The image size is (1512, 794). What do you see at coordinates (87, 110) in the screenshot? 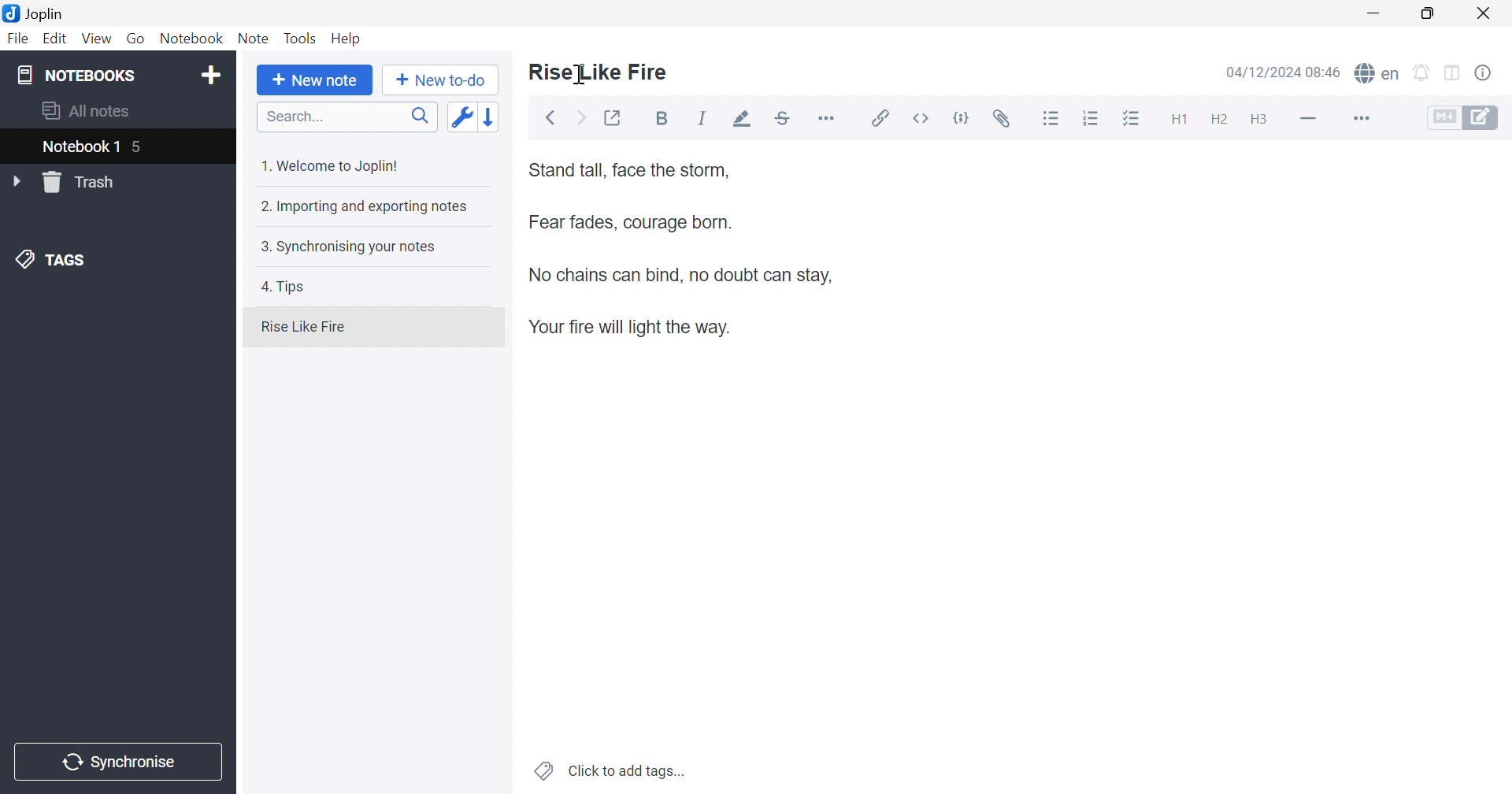
I see `All notes` at bounding box center [87, 110].